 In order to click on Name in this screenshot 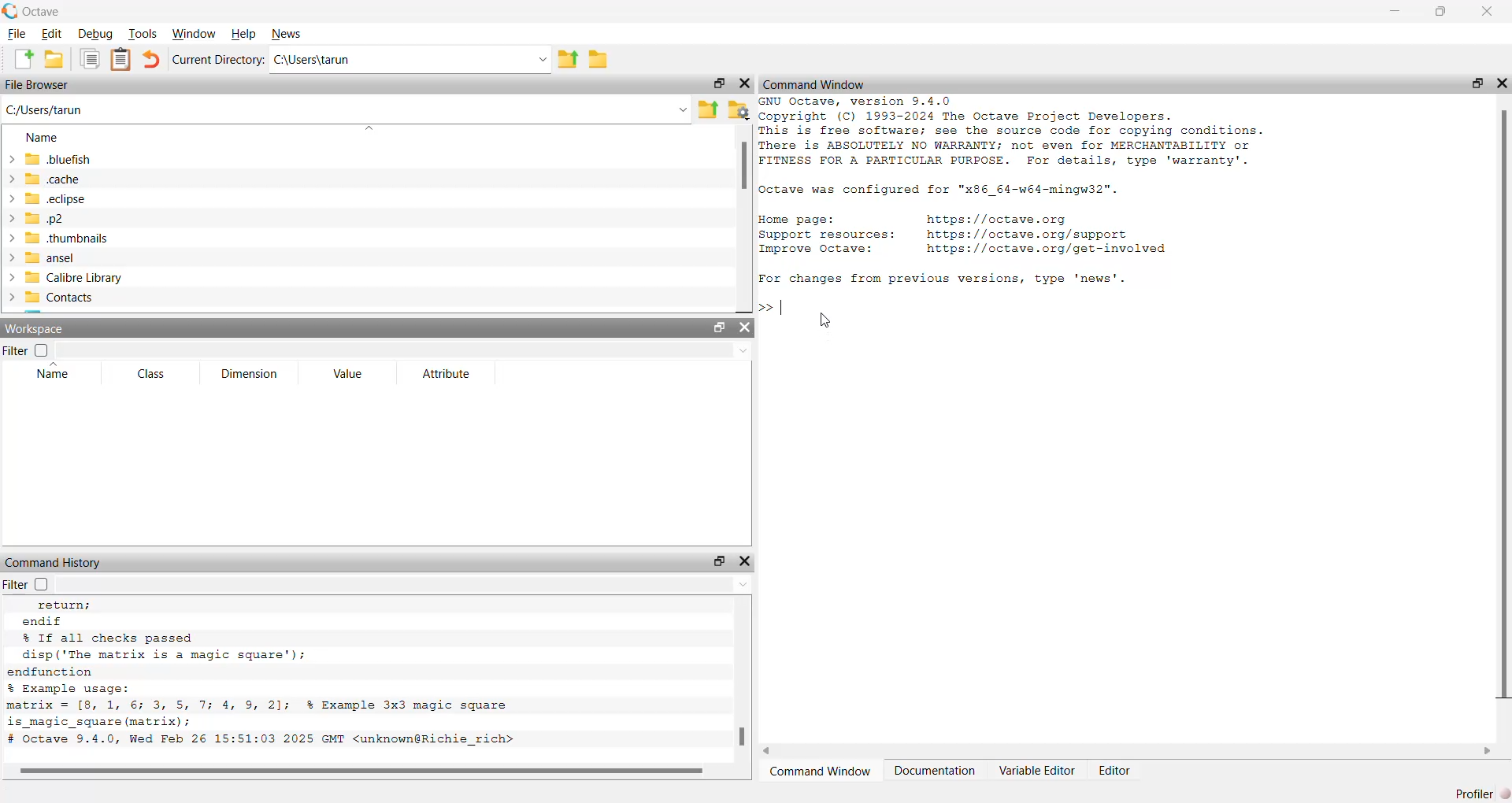, I will do `click(43, 137)`.